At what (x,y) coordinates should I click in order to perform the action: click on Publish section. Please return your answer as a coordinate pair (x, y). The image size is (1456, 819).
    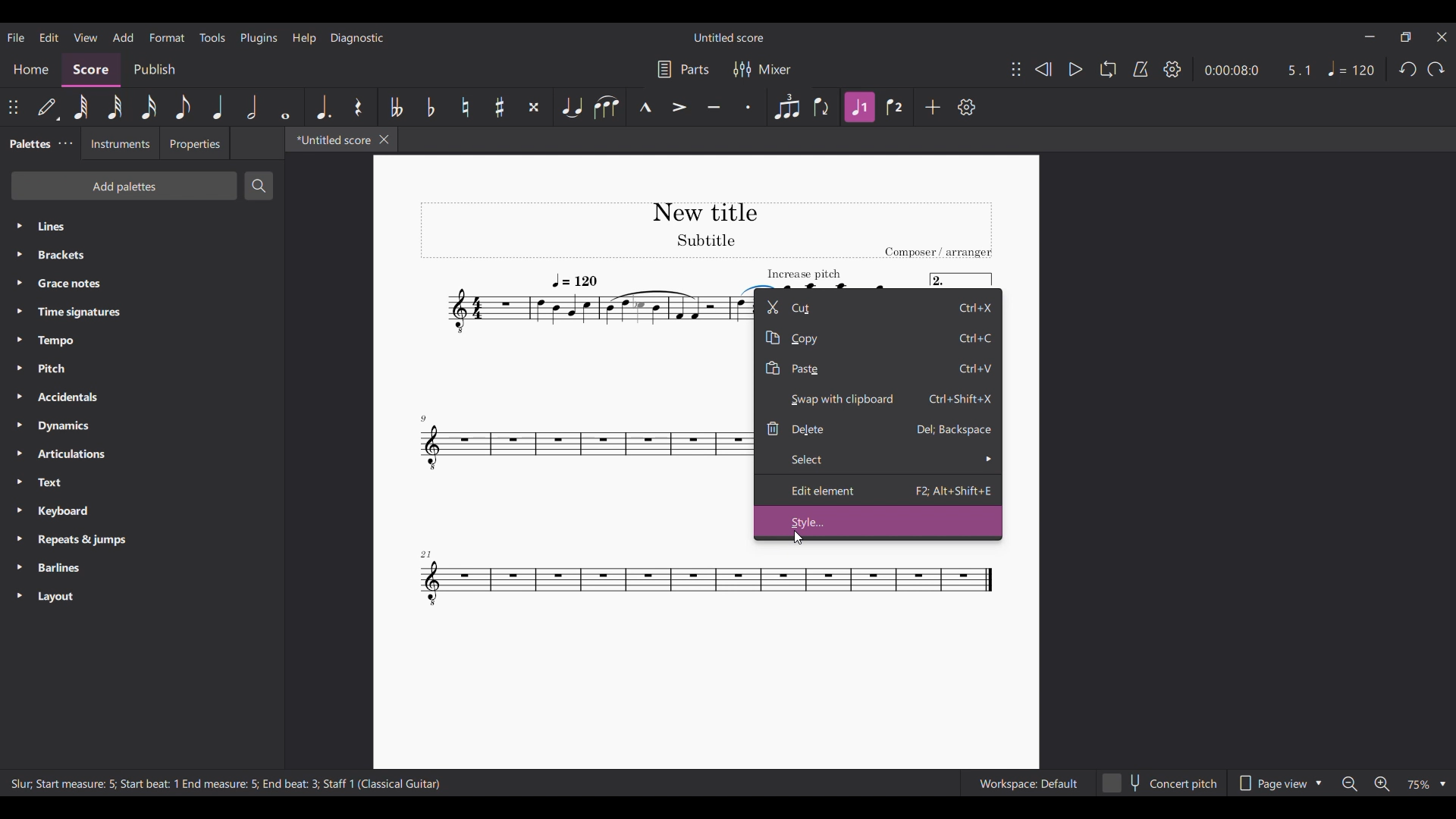
    Looking at the image, I should click on (154, 71).